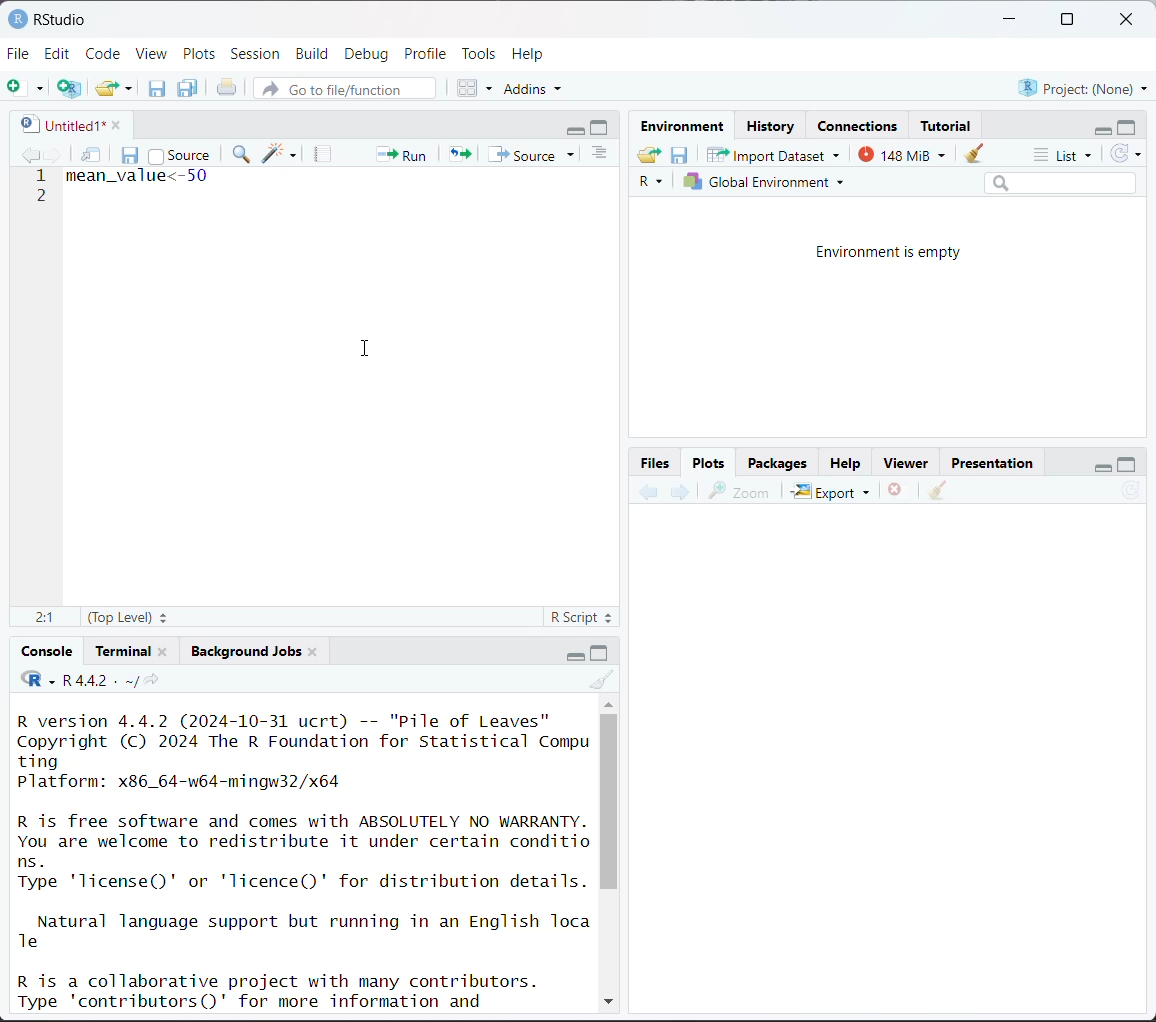 The image size is (1156, 1022). What do you see at coordinates (530, 53) in the screenshot?
I see `Help` at bounding box center [530, 53].